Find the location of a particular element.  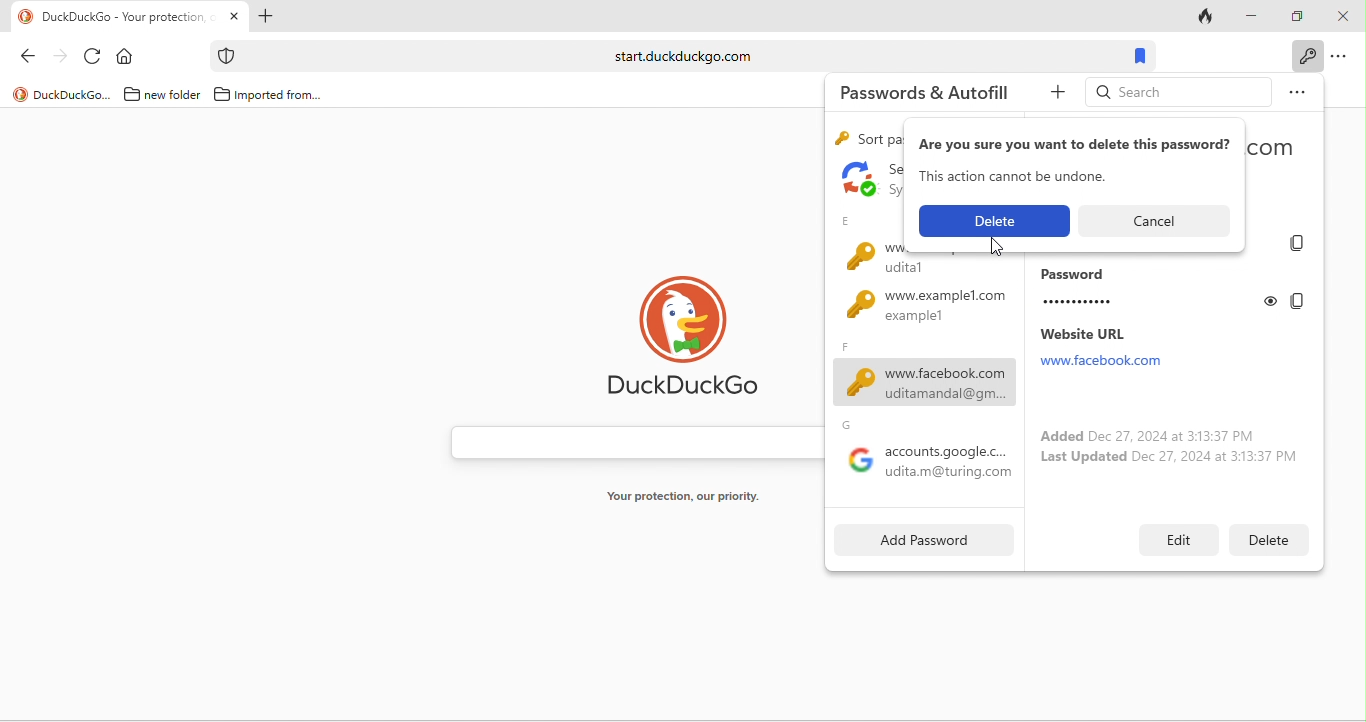

add new tab is located at coordinates (265, 18).